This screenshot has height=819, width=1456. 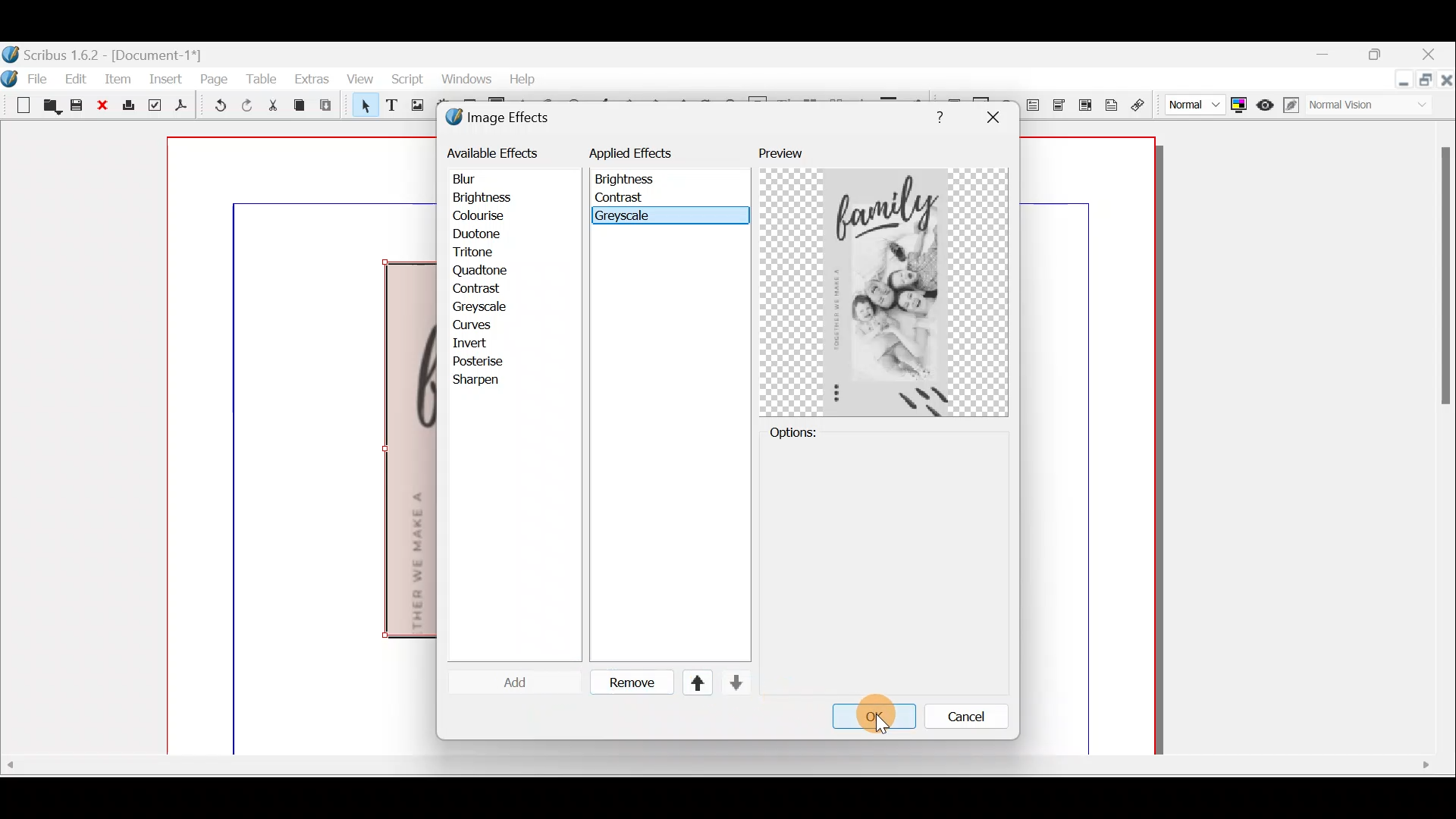 I want to click on Insert, so click(x=165, y=83).